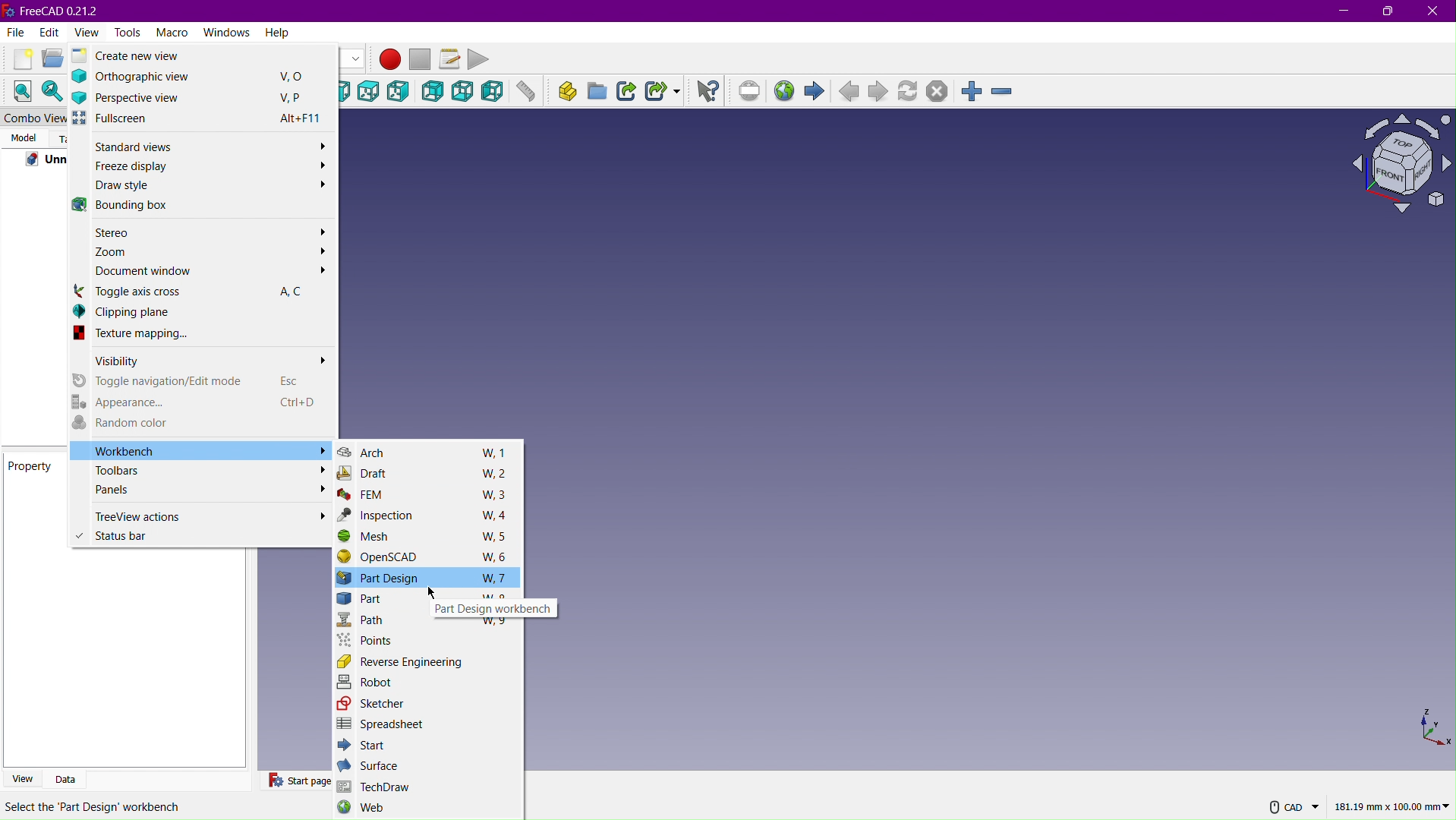 This screenshot has width=1456, height=820. Describe the element at coordinates (599, 92) in the screenshot. I see `Create group` at that location.